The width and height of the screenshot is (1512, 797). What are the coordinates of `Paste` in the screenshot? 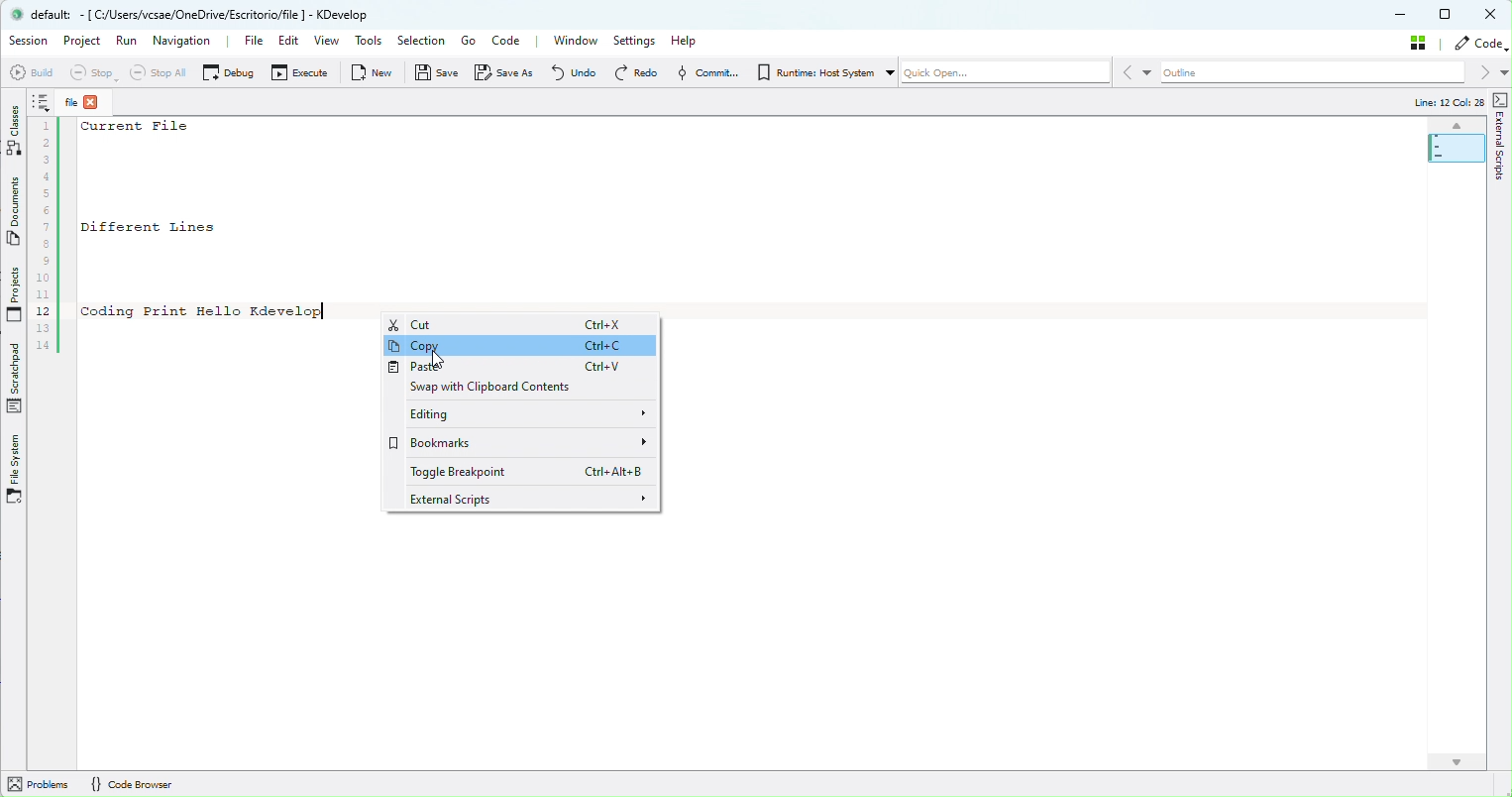 It's located at (515, 370).